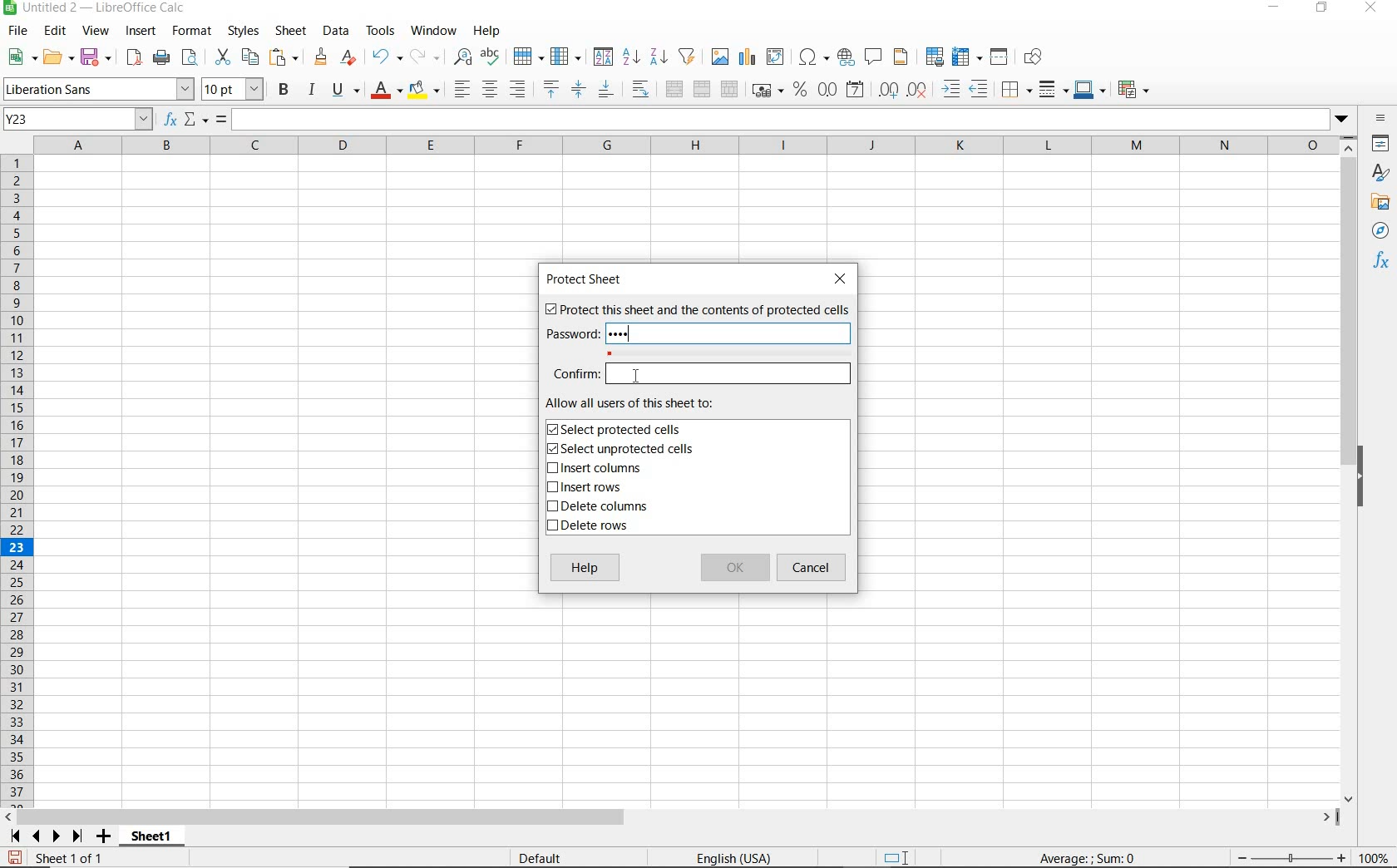 This screenshot has height=868, width=1397. I want to click on SHOW DRAW FUNCTIONS, so click(1034, 57).